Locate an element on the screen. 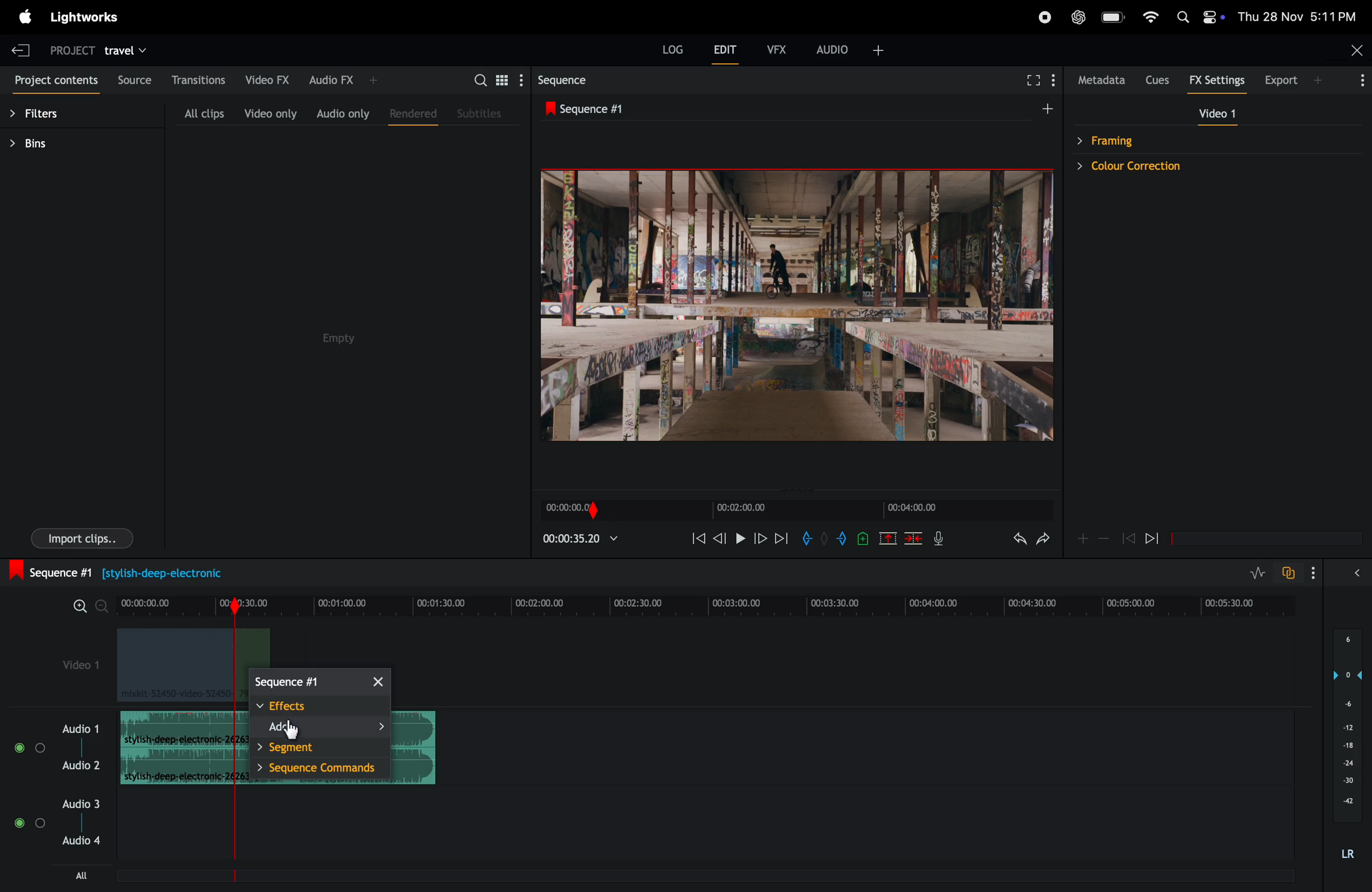  audio  is located at coordinates (853, 48).